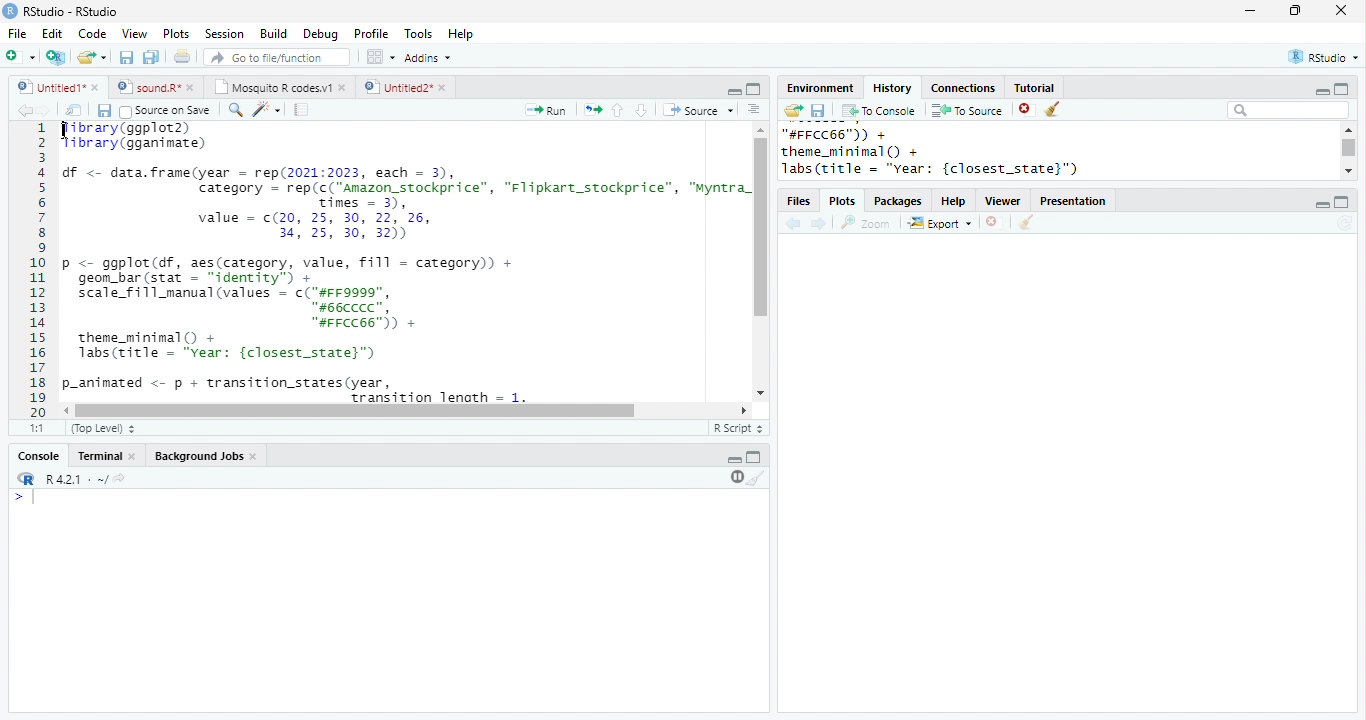 Image resolution: width=1366 pixels, height=720 pixels. I want to click on Connections, so click(965, 88).